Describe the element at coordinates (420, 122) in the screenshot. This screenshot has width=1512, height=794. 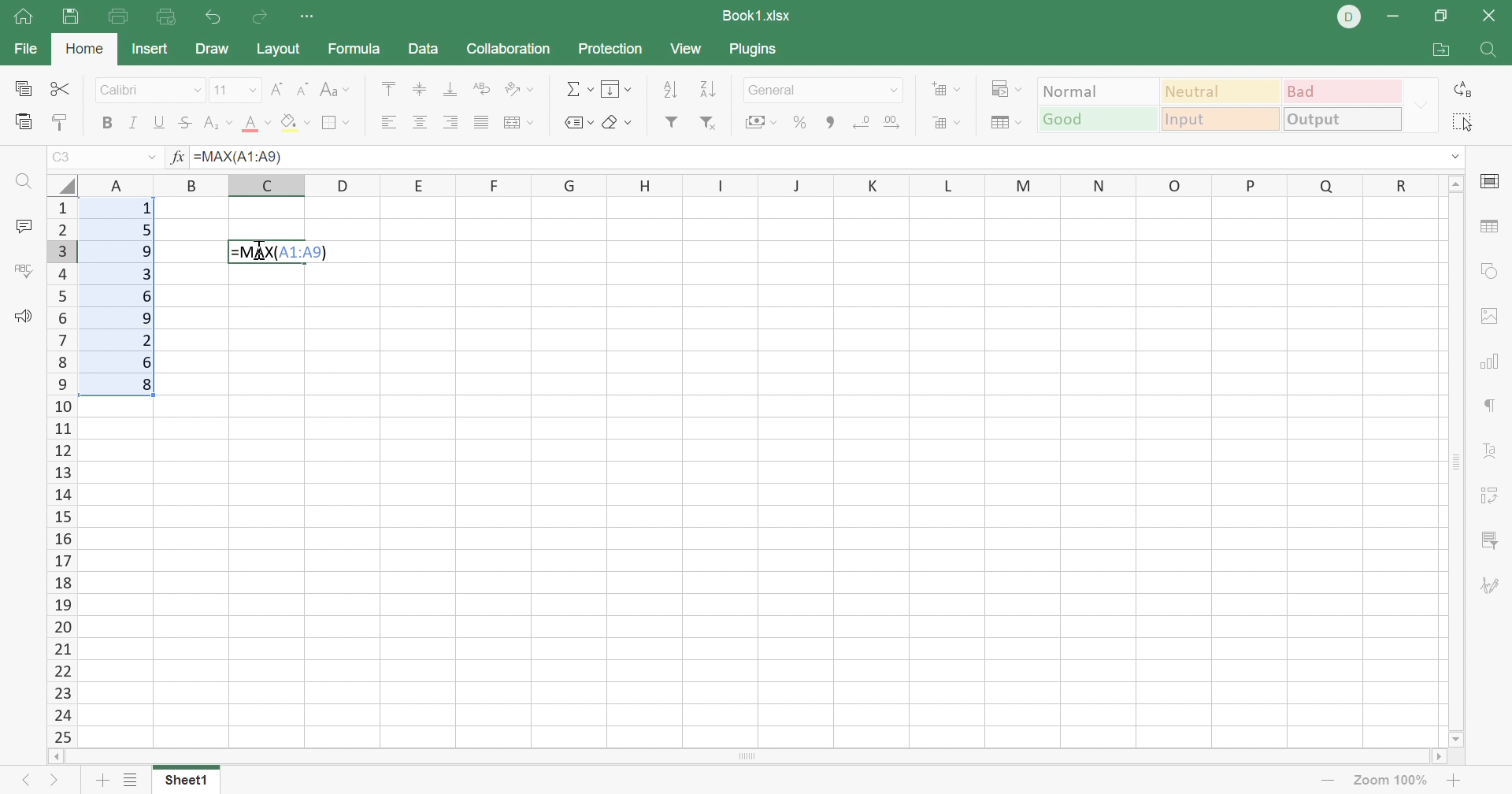
I see `Align Center` at that location.